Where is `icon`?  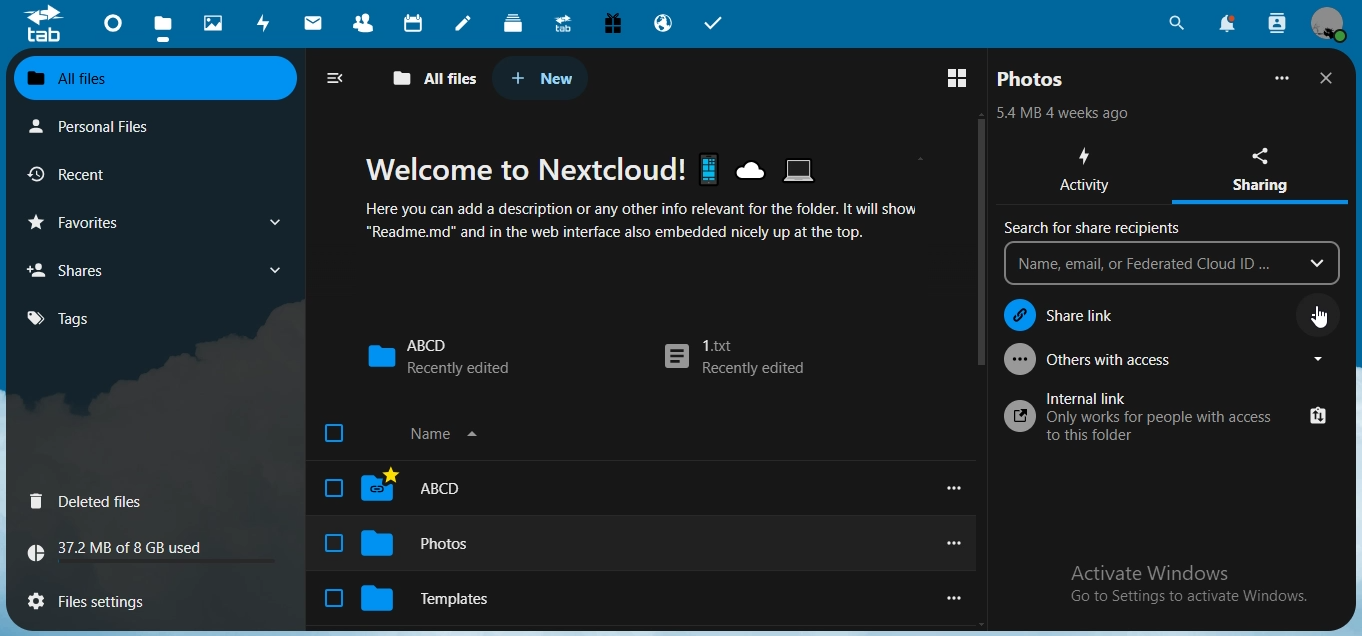 icon is located at coordinates (43, 23).